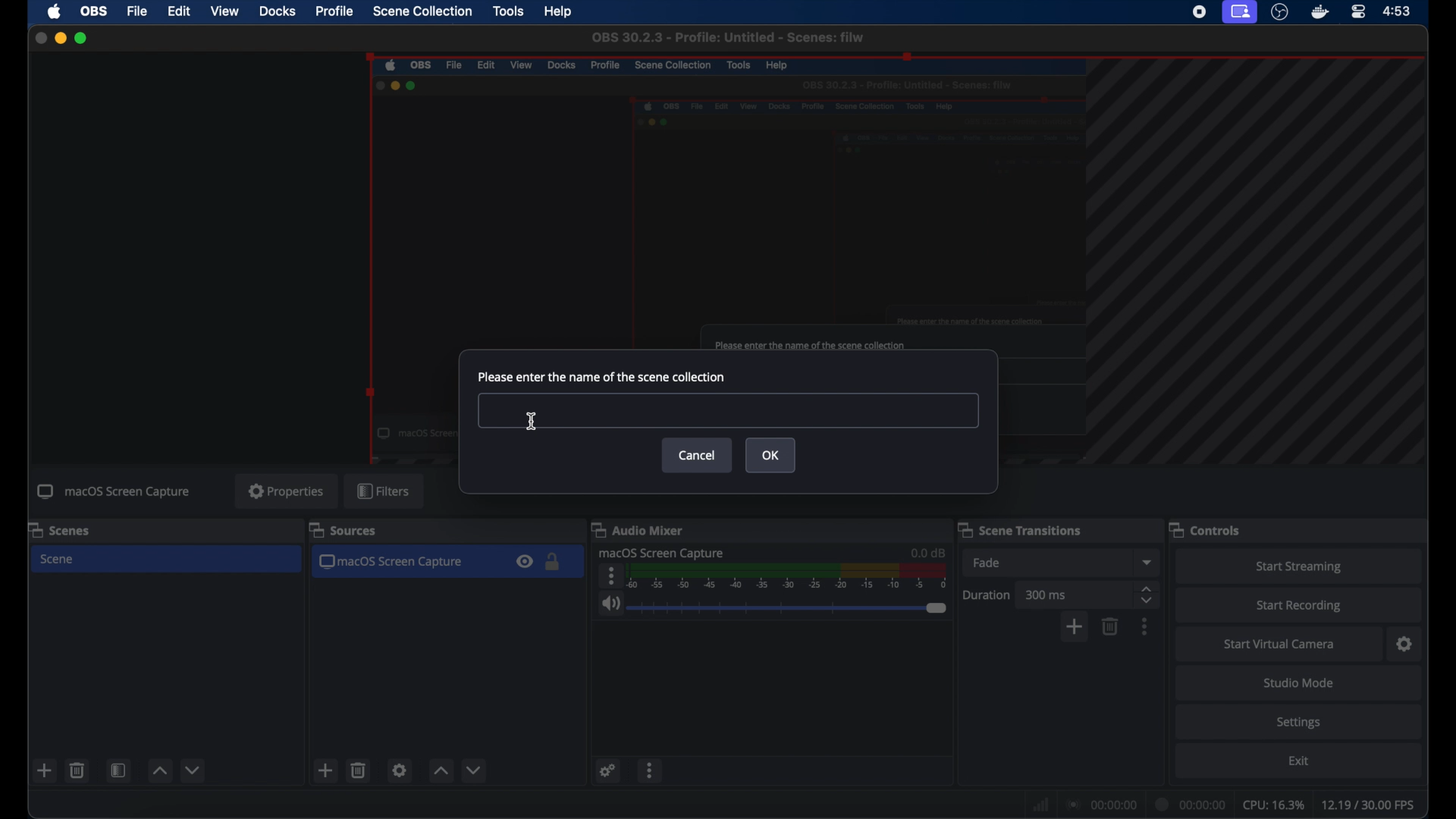 This screenshot has height=819, width=1456. I want to click on minimize, so click(61, 38).